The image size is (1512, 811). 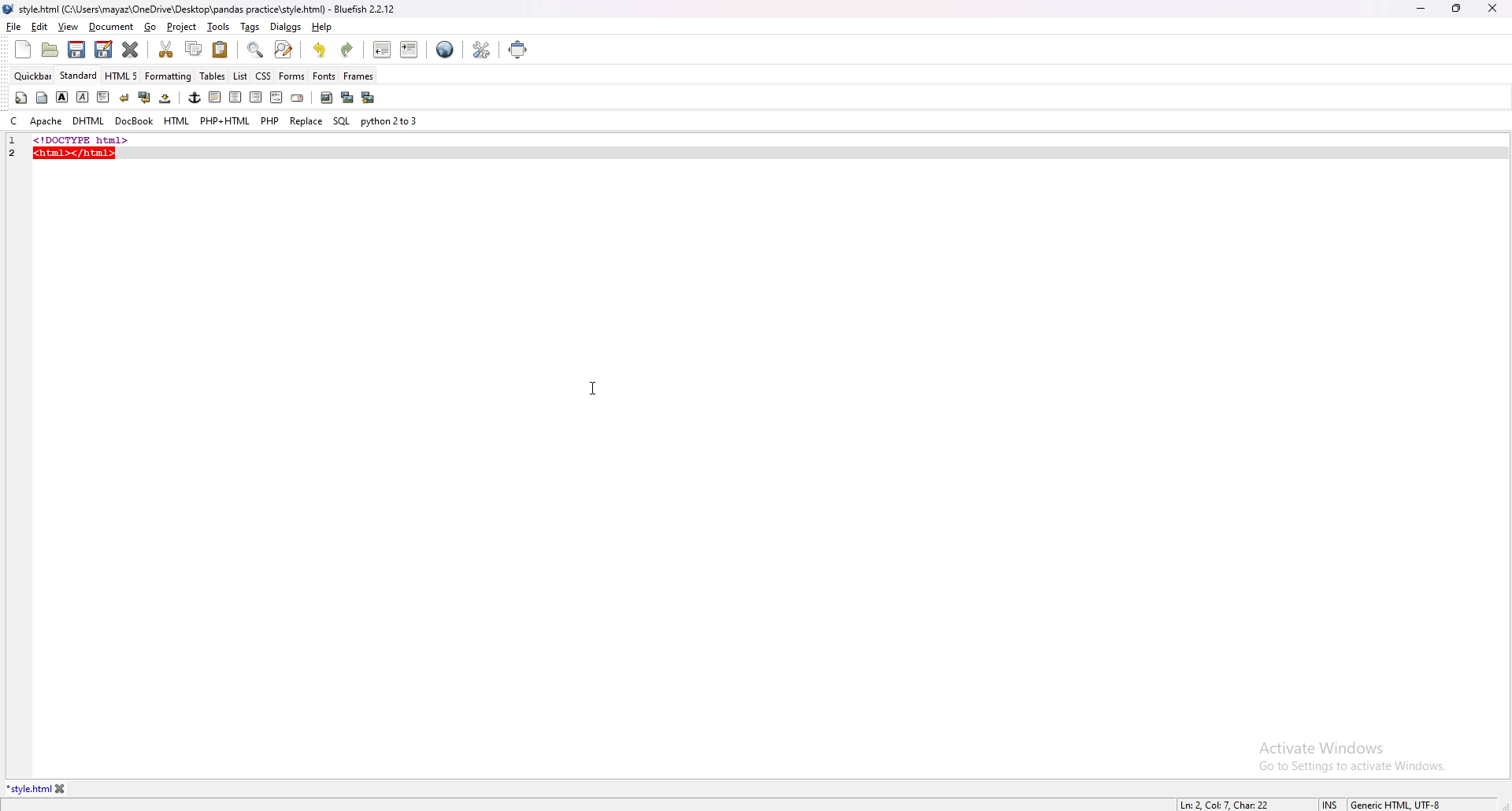 What do you see at coordinates (14, 26) in the screenshot?
I see `file` at bounding box center [14, 26].